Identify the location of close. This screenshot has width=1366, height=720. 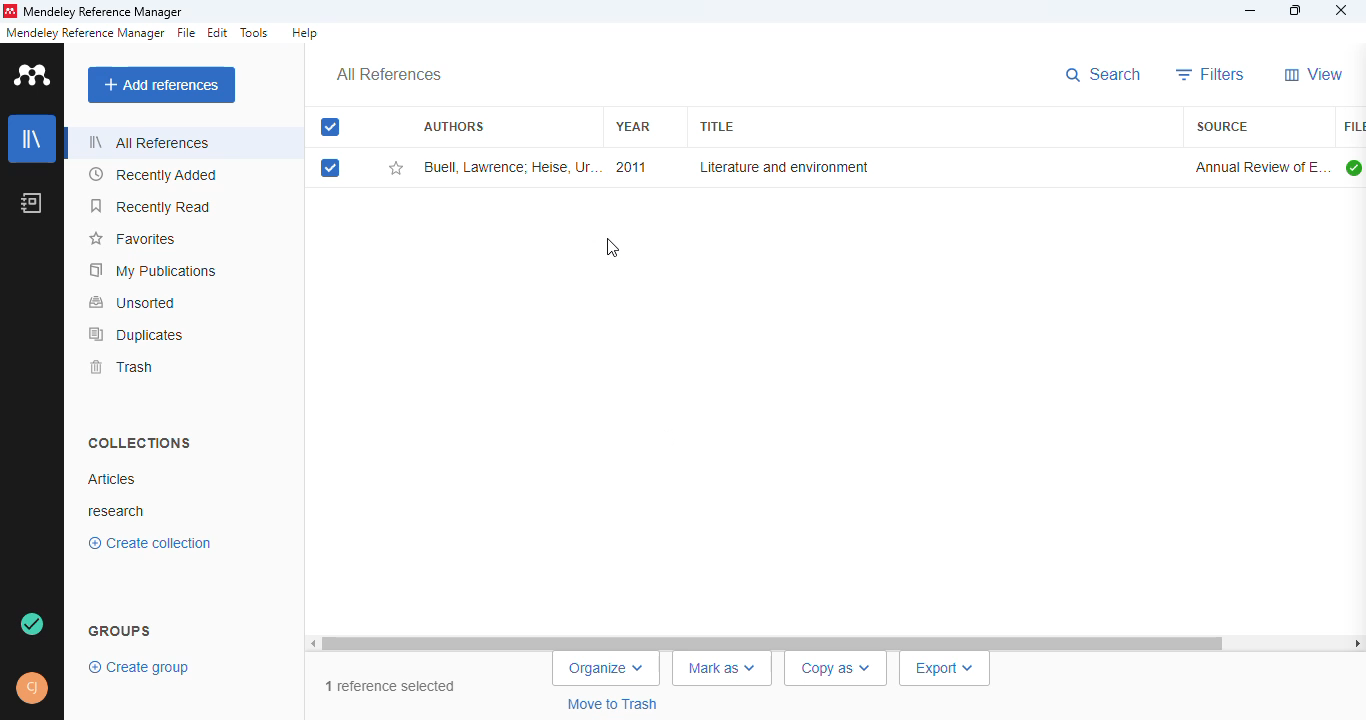
(1342, 10).